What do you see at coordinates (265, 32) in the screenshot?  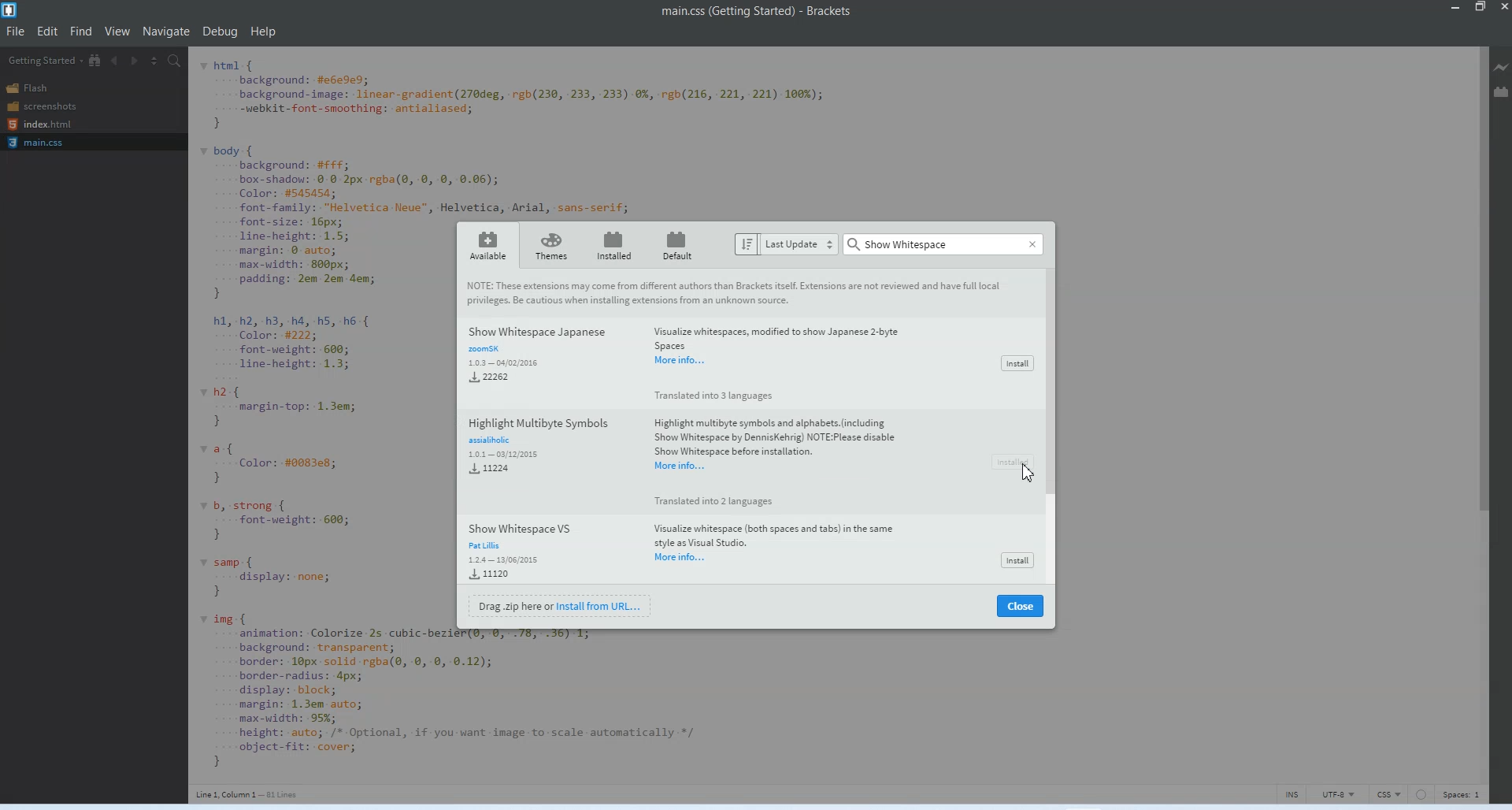 I see `Help` at bounding box center [265, 32].